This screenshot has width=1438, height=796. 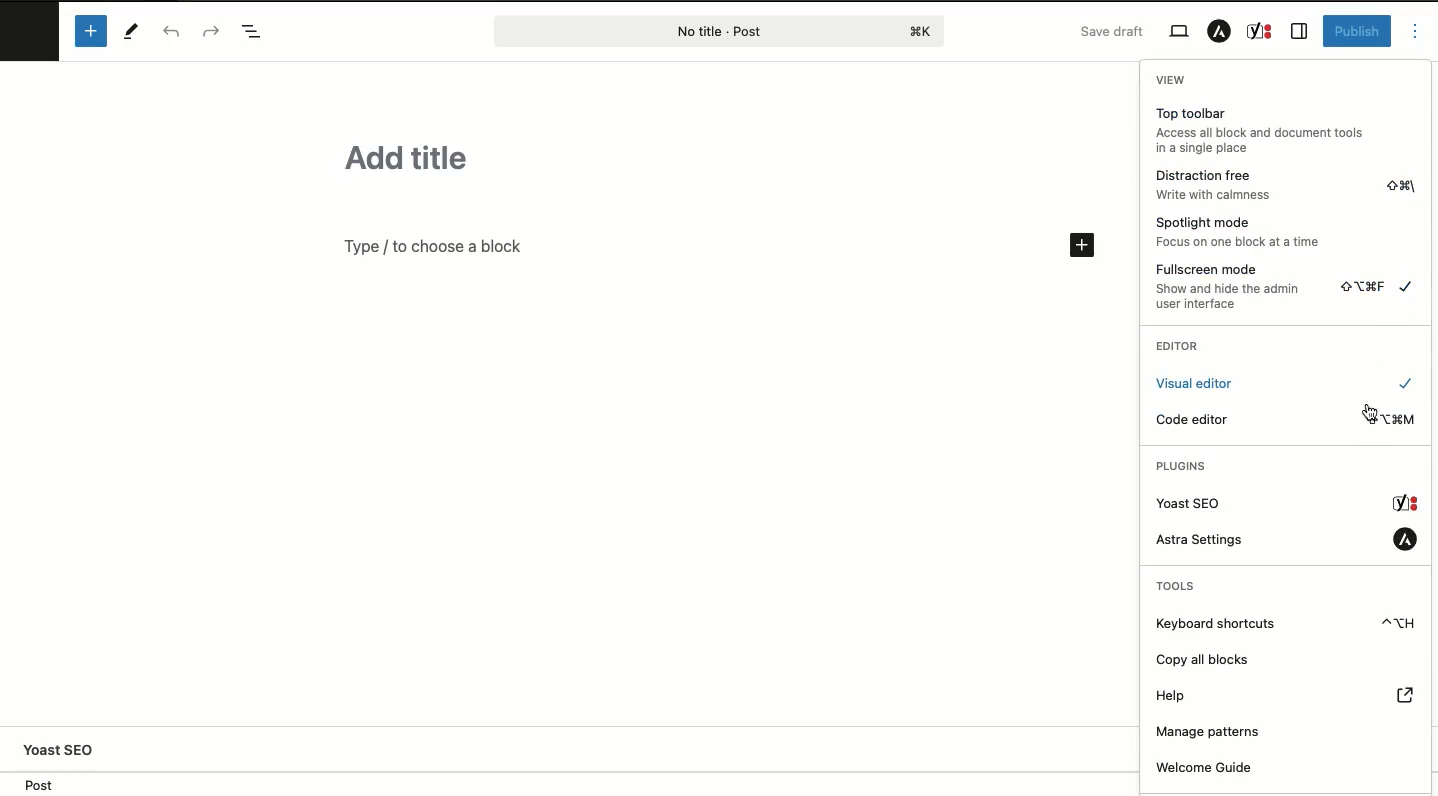 I want to click on Top toolbar, so click(x=1262, y=128).